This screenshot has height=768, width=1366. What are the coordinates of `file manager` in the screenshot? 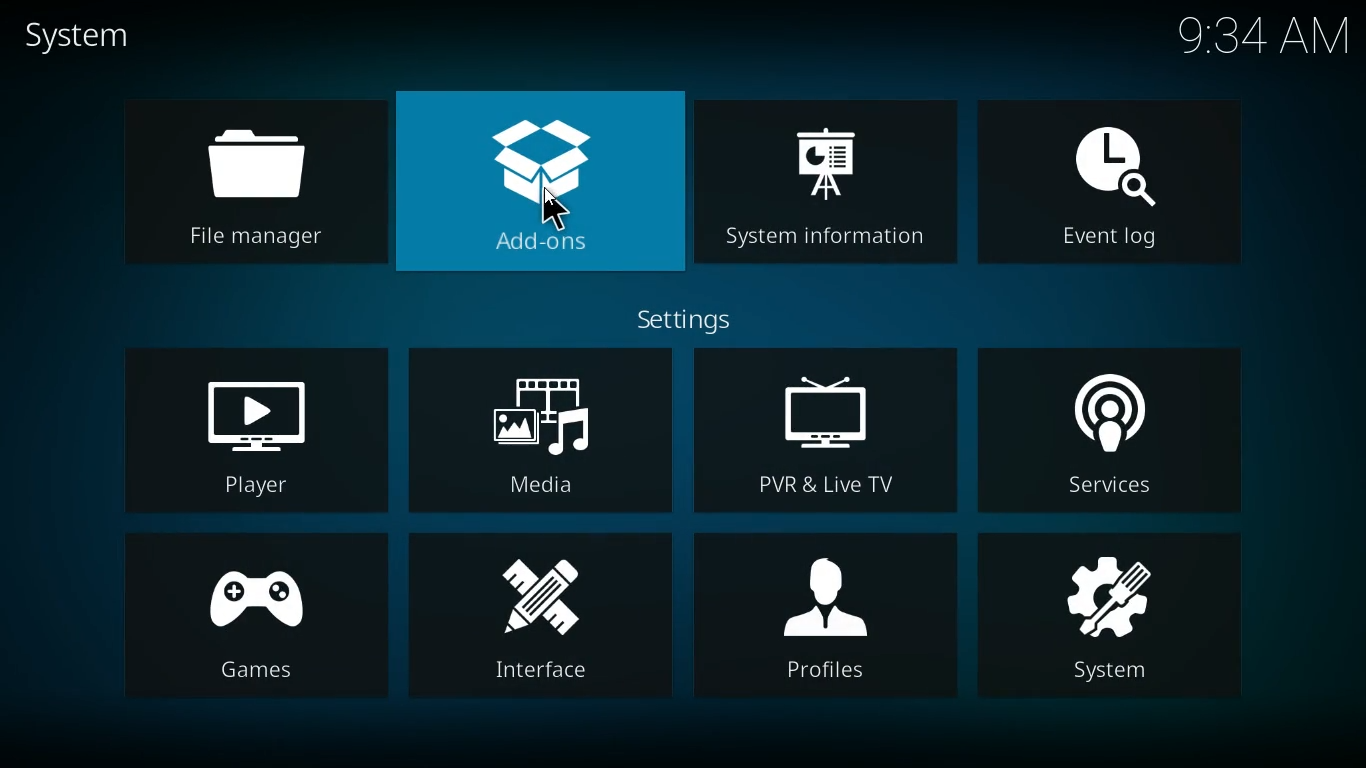 It's located at (245, 178).